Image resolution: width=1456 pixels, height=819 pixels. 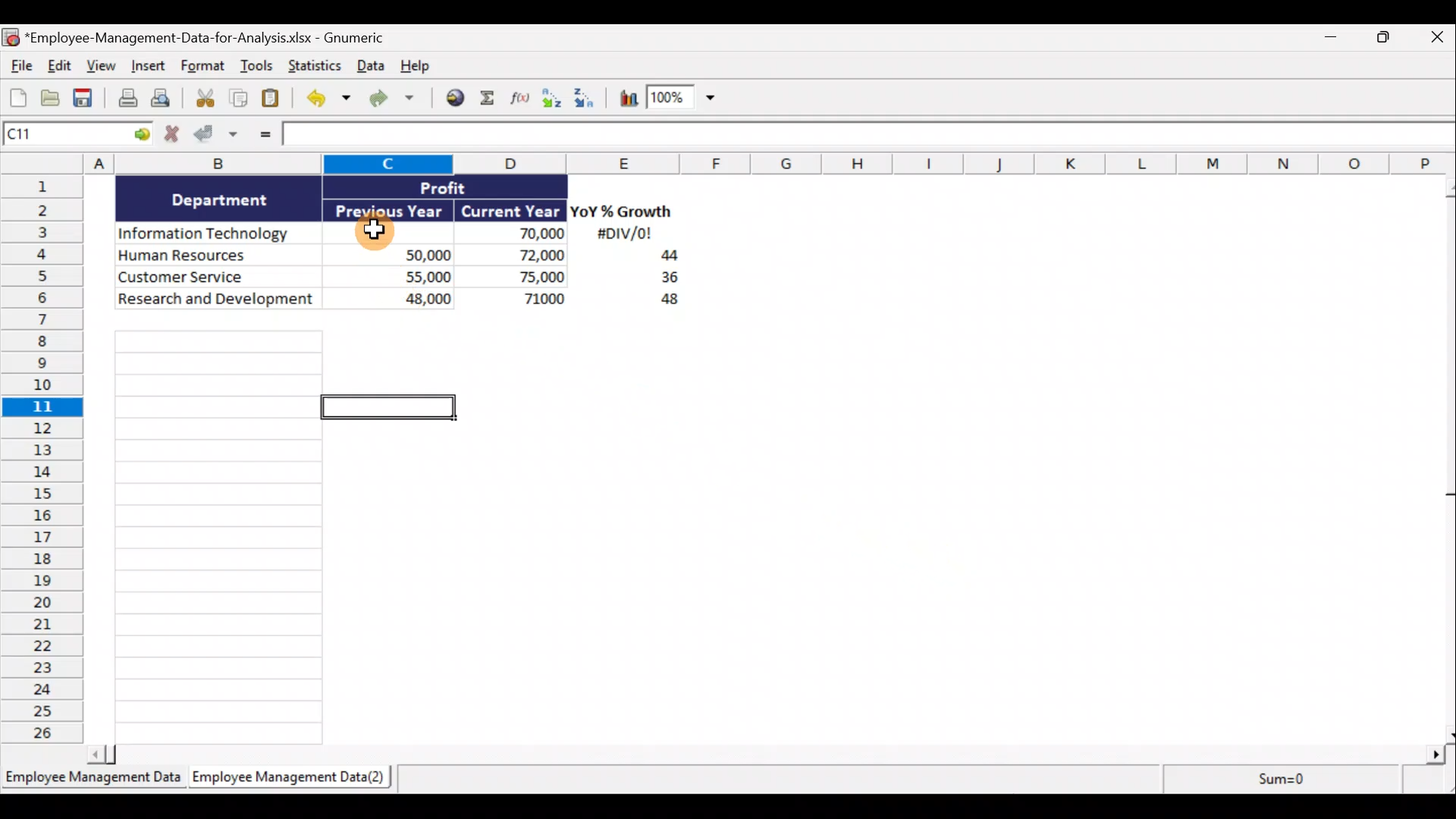 What do you see at coordinates (397, 301) in the screenshot?
I see `48,000` at bounding box center [397, 301].